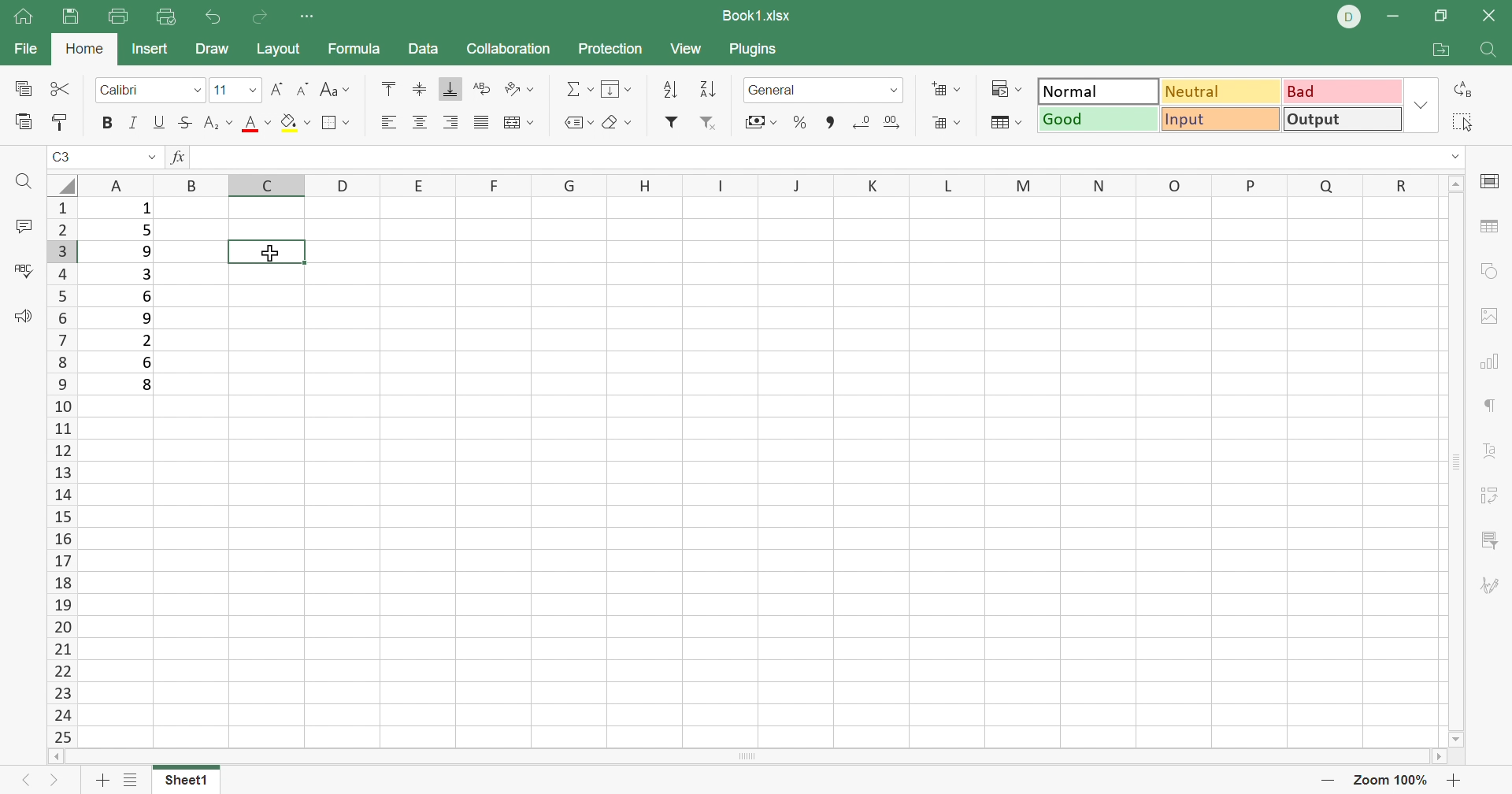 This screenshot has height=794, width=1512. Describe the element at coordinates (150, 364) in the screenshot. I see `6` at that location.